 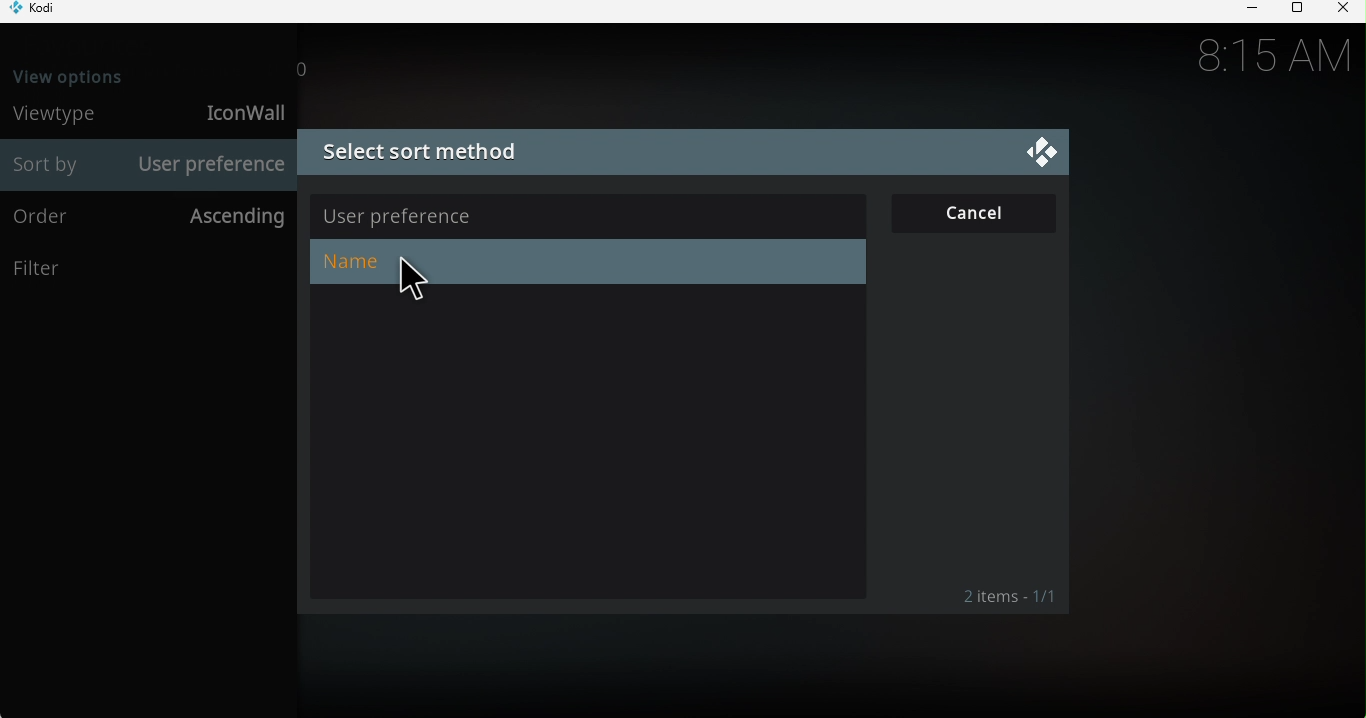 What do you see at coordinates (583, 262) in the screenshot?
I see `Name` at bounding box center [583, 262].